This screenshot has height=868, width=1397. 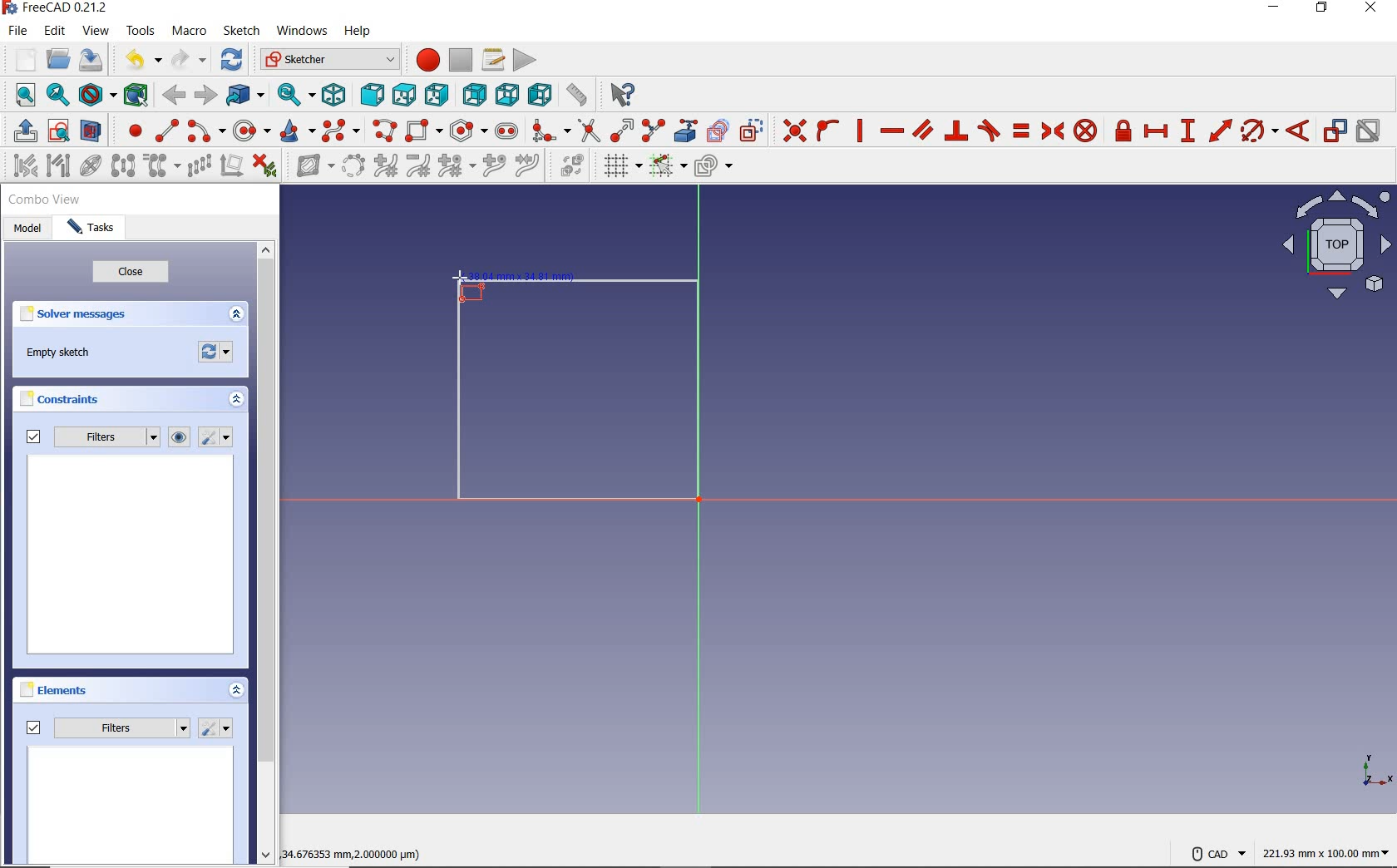 I want to click on constraint angle, so click(x=1299, y=130).